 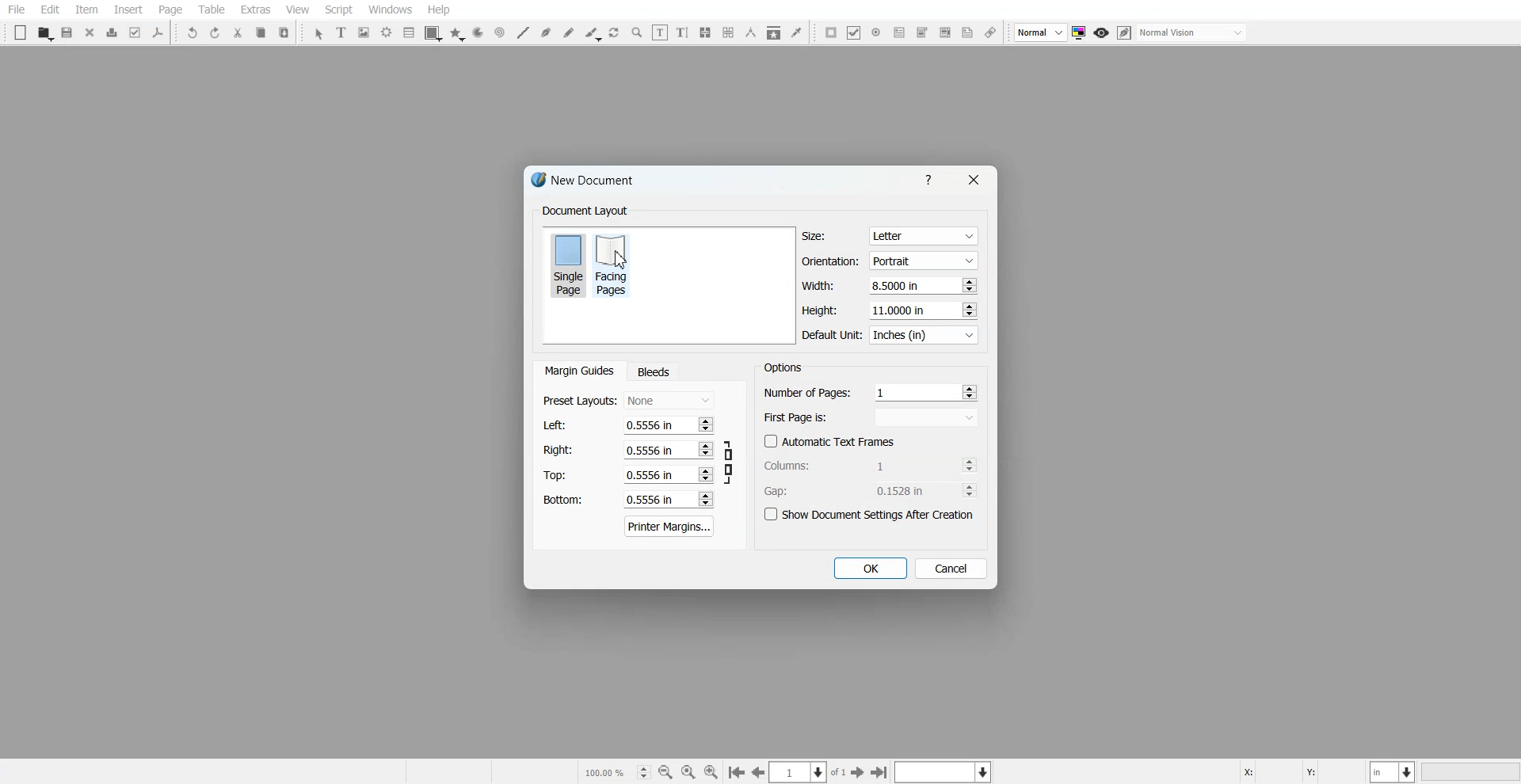 I want to click on Close, so click(x=972, y=180).